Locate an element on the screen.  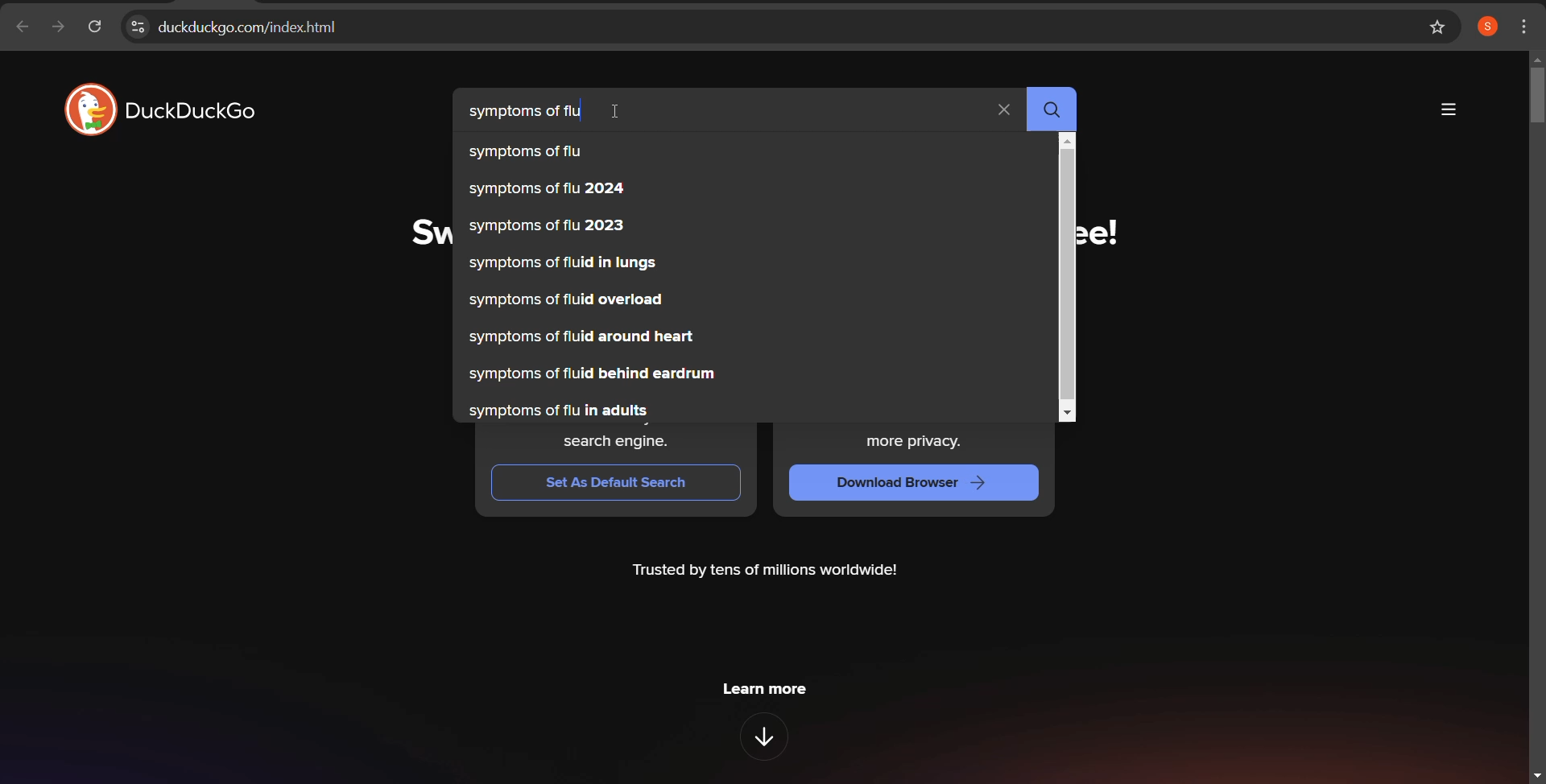
bookmark page is located at coordinates (1439, 27).